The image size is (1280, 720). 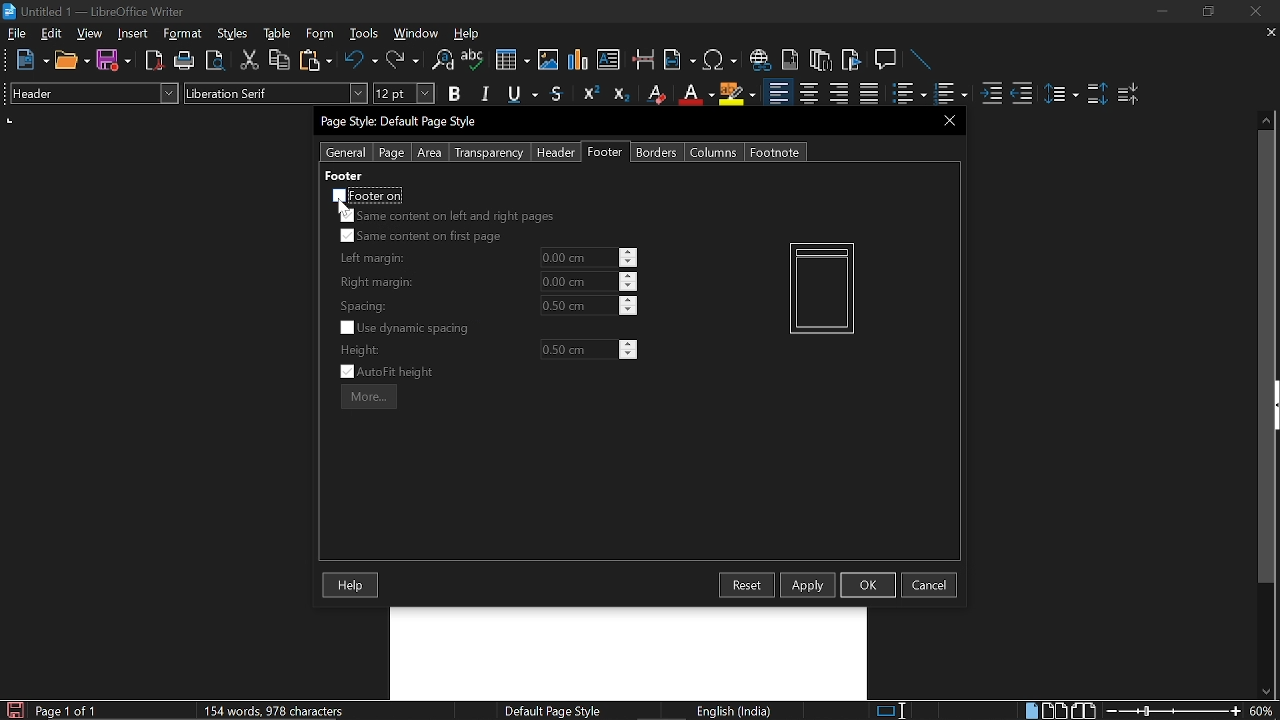 I want to click on increase spacing, so click(x=629, y=299).